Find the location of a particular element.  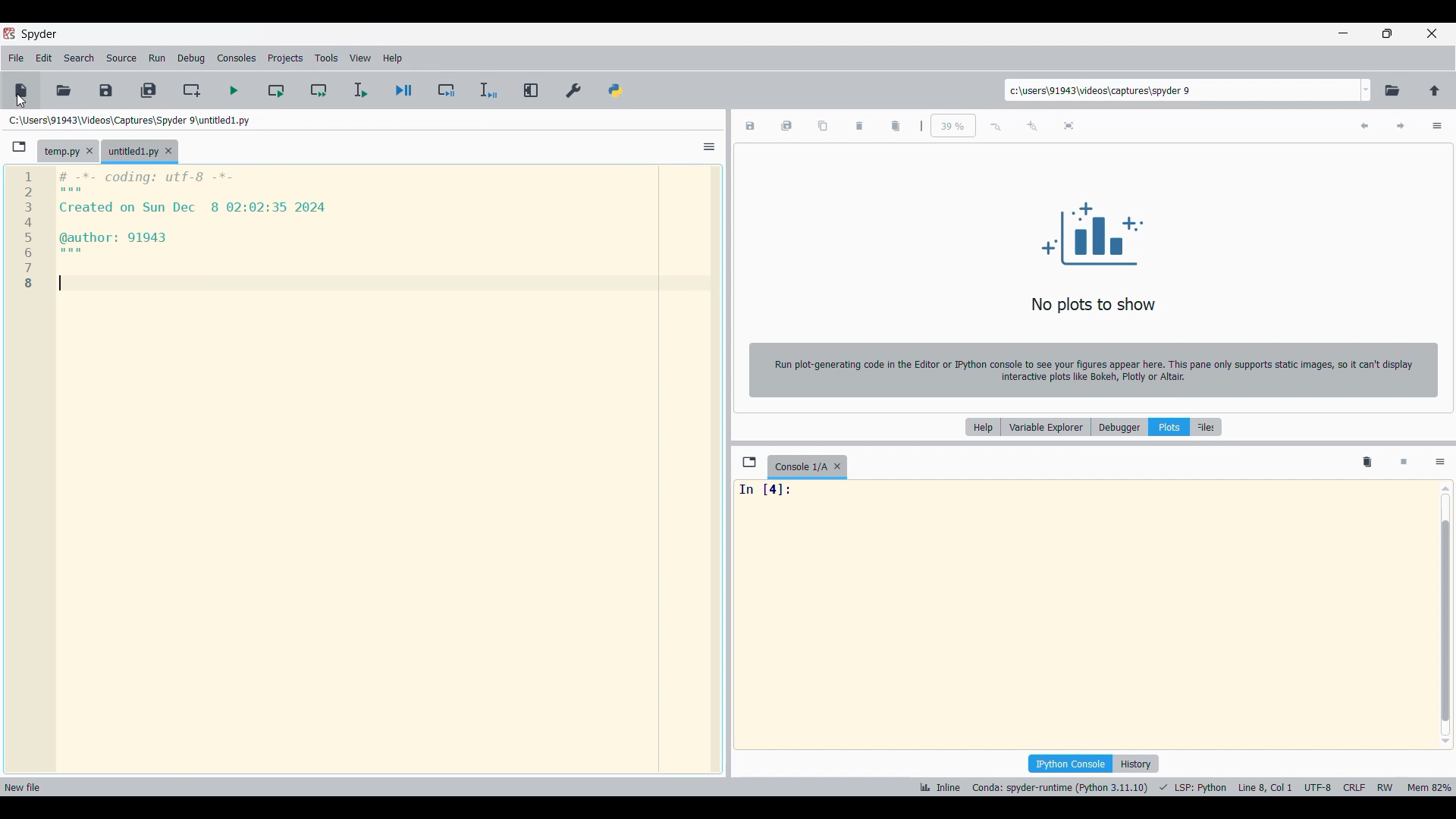

crlf is located at coordinates (1355, 787).